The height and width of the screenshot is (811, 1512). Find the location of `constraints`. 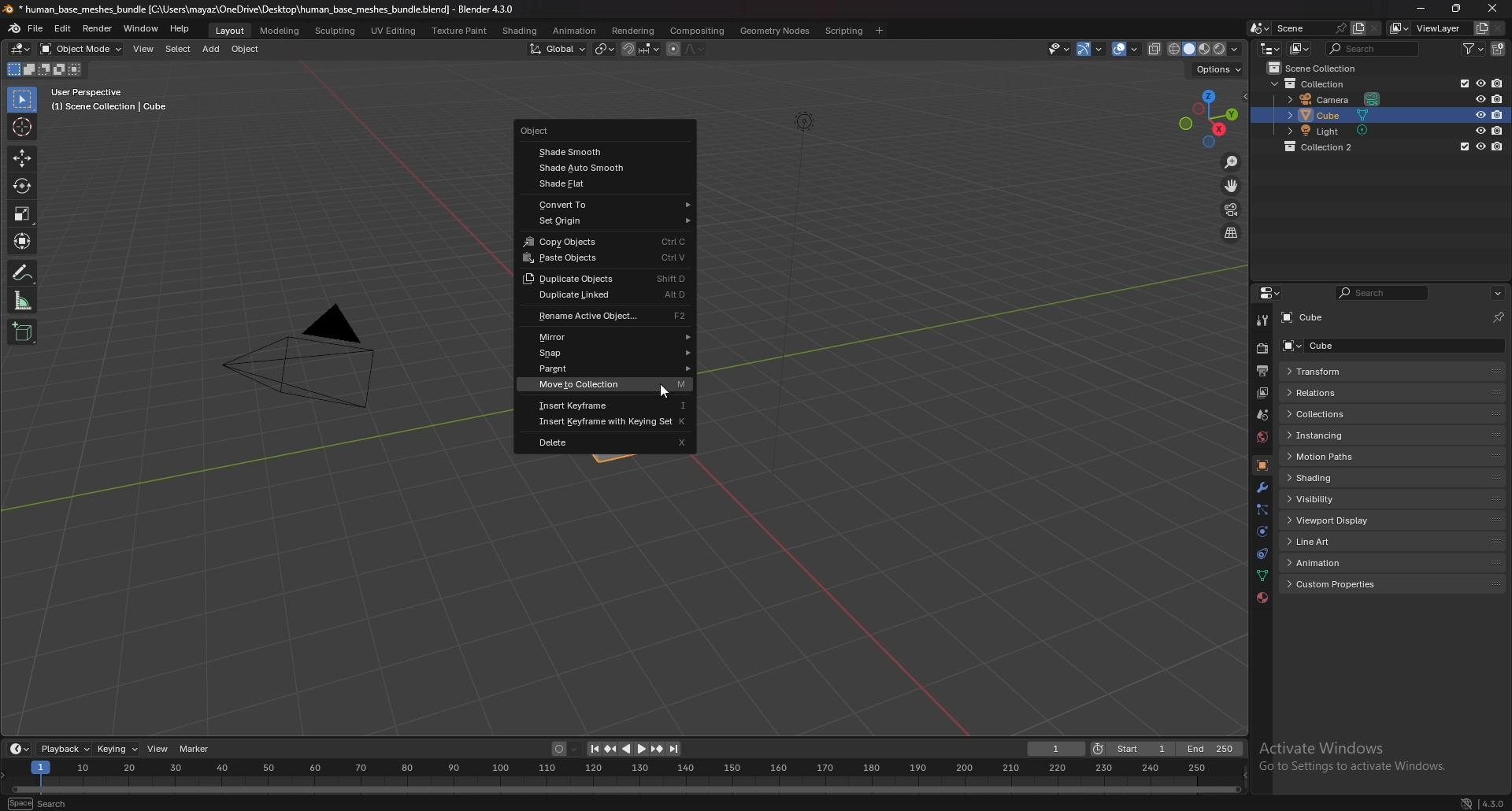

constraints is located at coordinates (1261, 554).